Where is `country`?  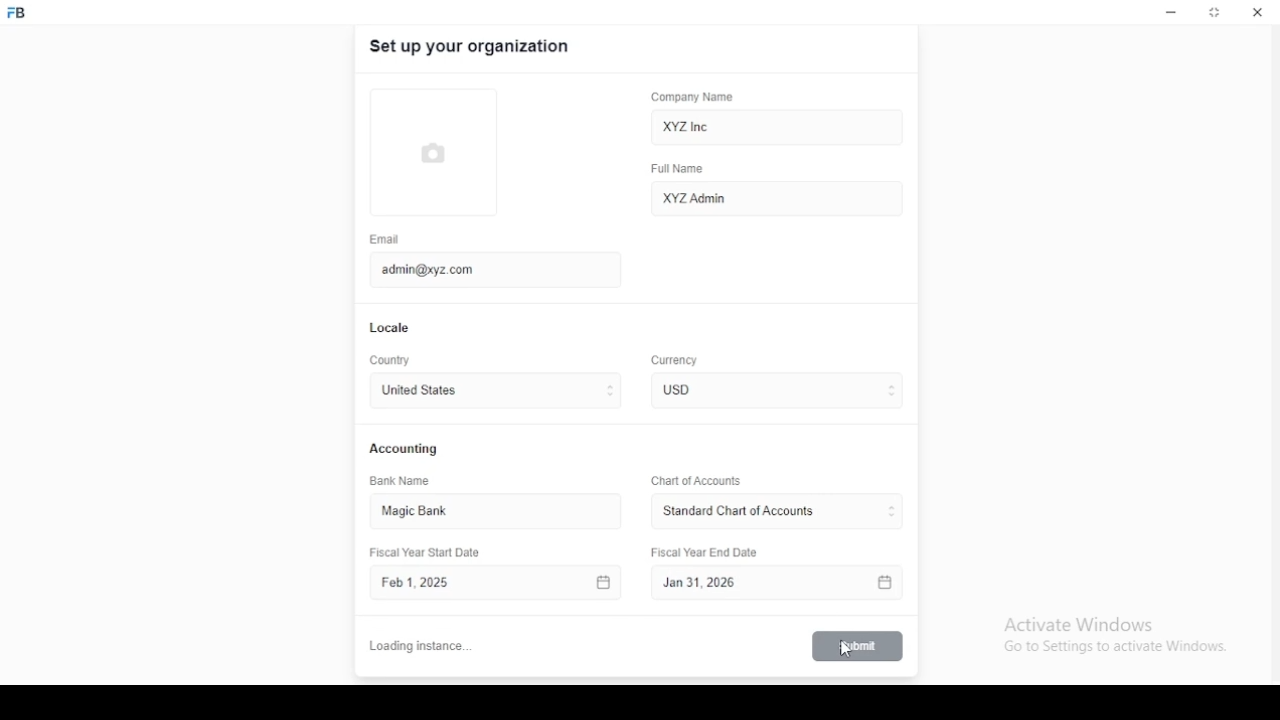
country is located at coordinates (392, 361).